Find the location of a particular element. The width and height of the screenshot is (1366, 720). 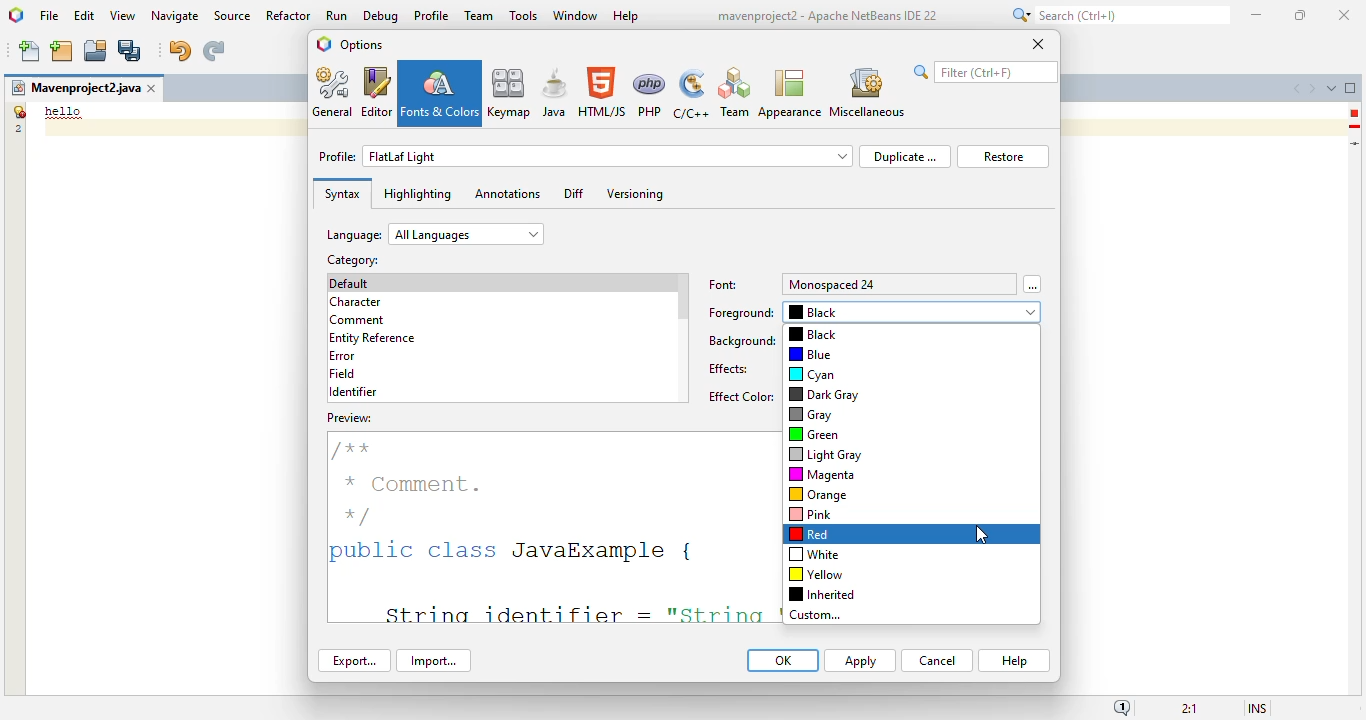

search is located at coordinates (985, 72).